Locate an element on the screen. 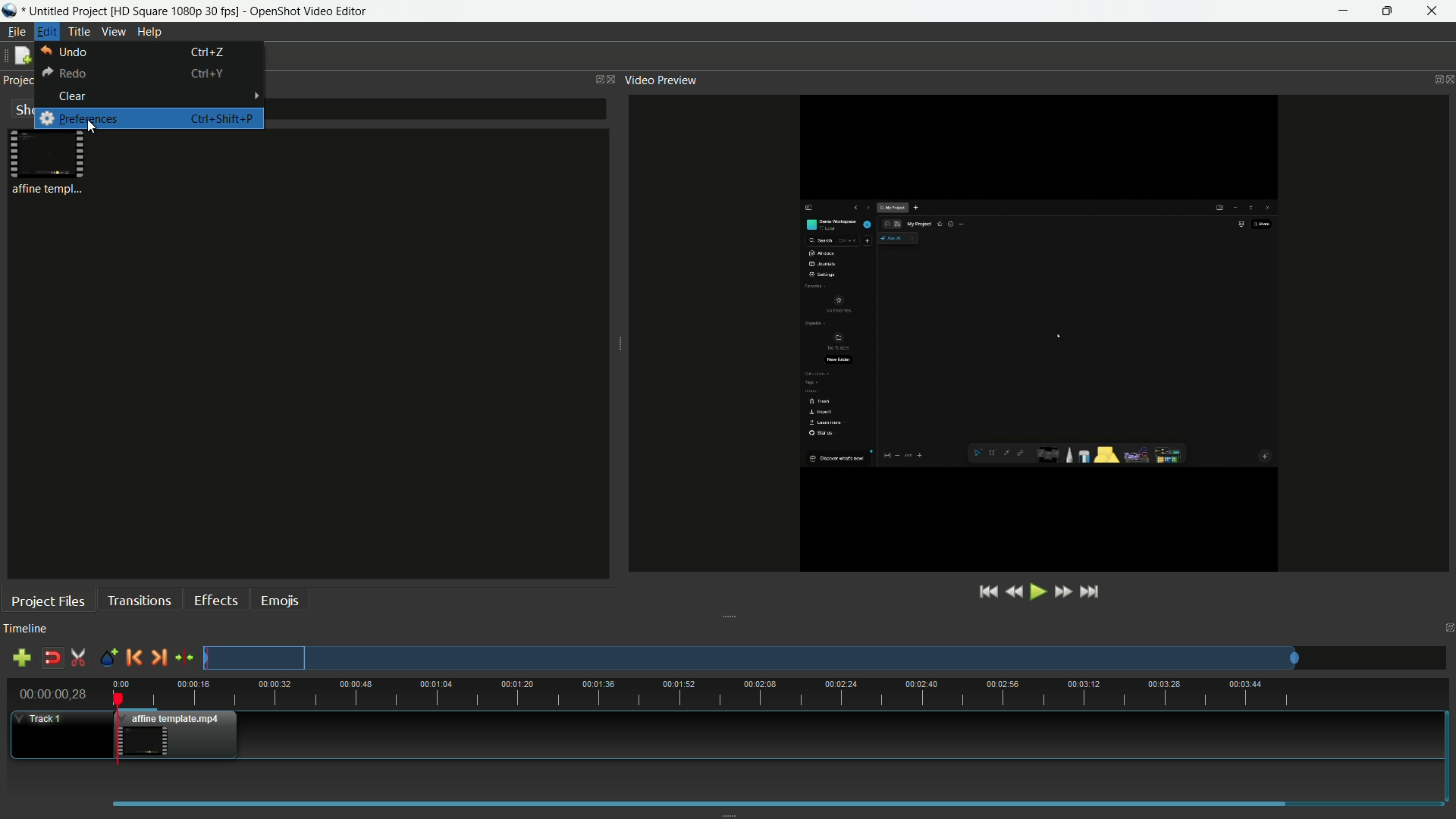 The image size is (1456, 819). cursor is located at coordinates (92, 127).